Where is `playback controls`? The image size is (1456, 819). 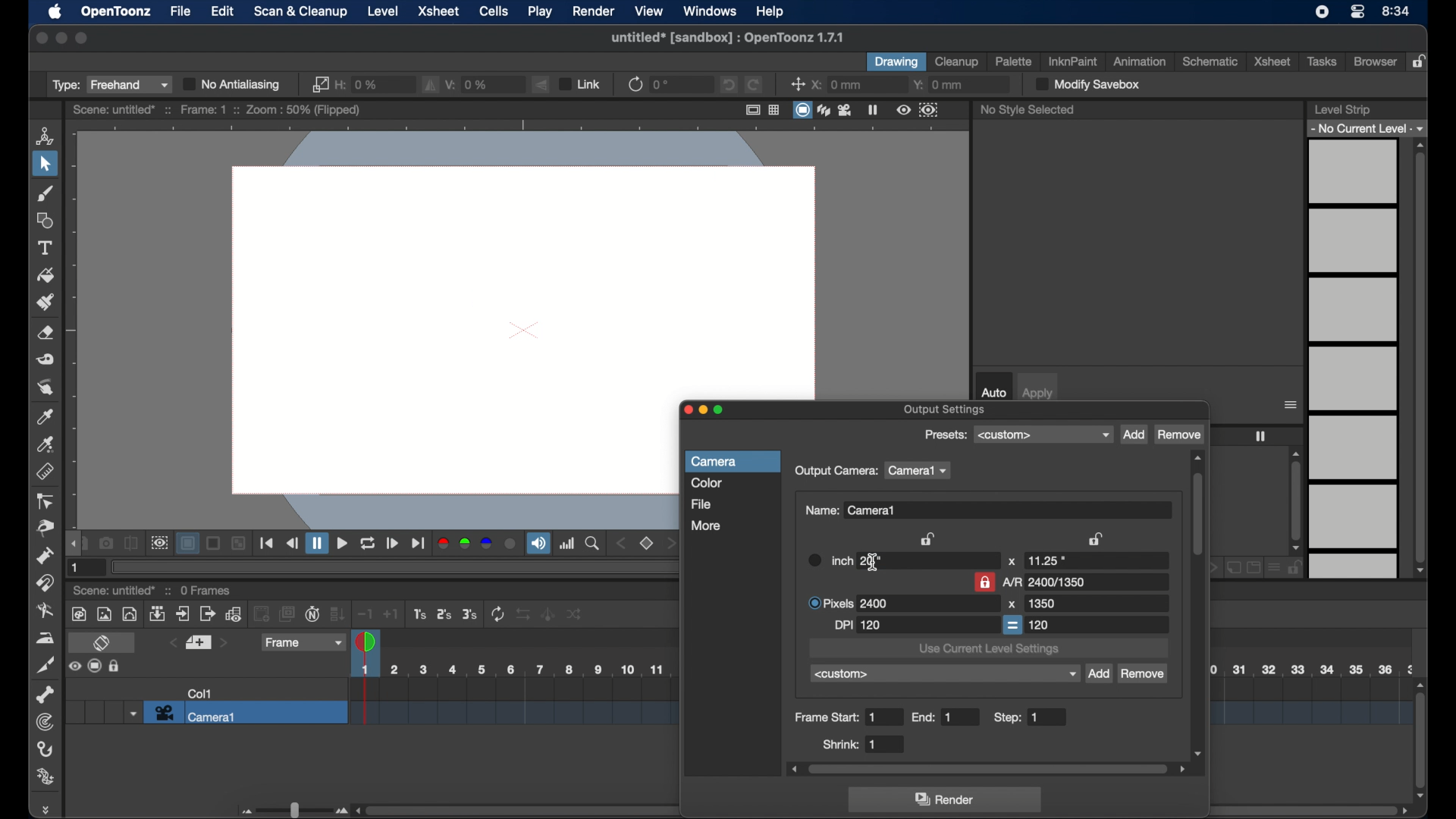
playback controls is located at coordinates (268, 543).